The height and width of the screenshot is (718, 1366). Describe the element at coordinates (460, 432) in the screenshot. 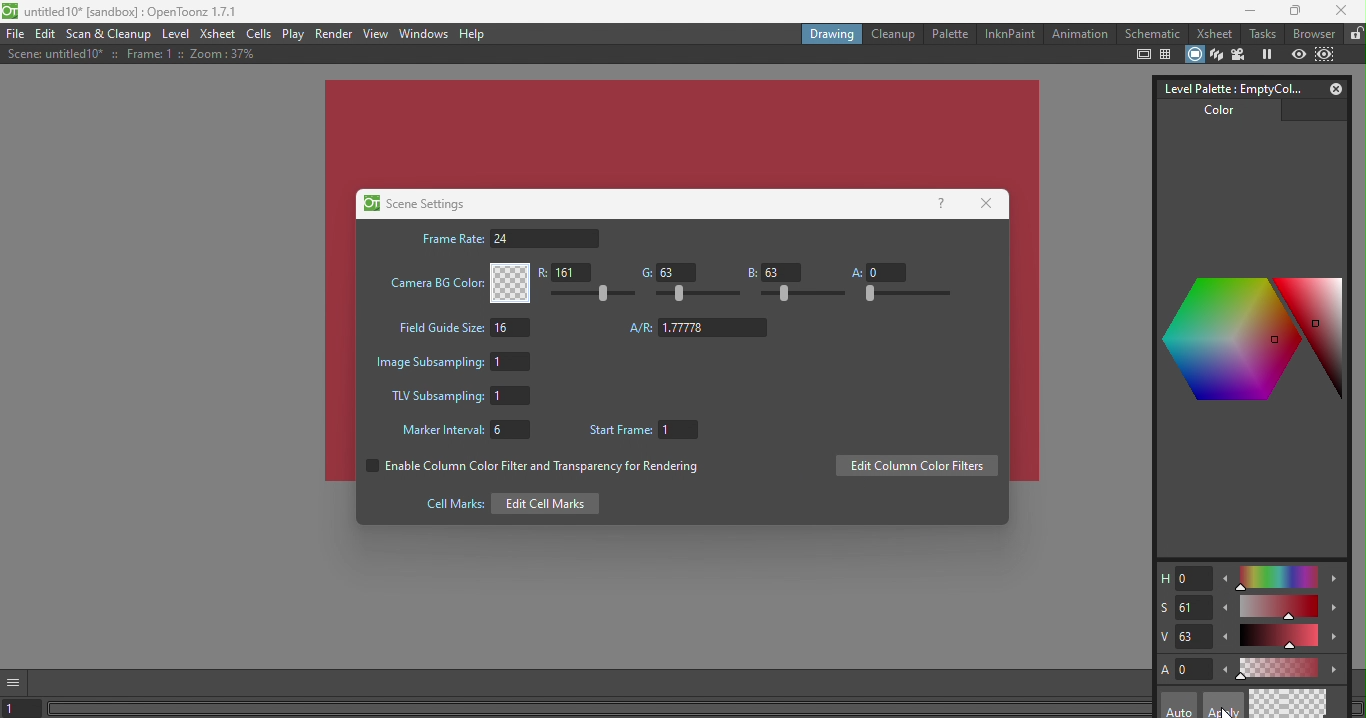

I see `Marker Interval` at that location.